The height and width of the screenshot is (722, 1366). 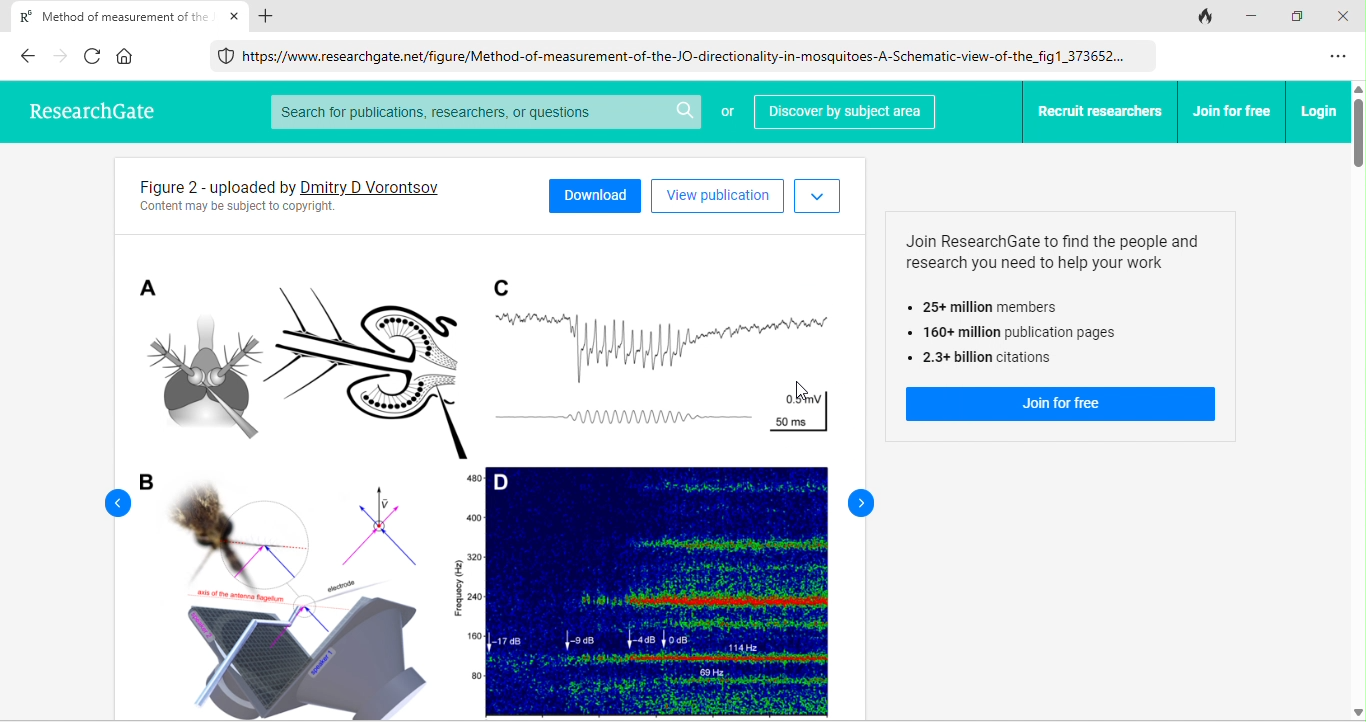 What do you see at coordinates (1357, 401) in the screenshot?
I see `vertical scroll bar` at bounding box center [1357, 401].